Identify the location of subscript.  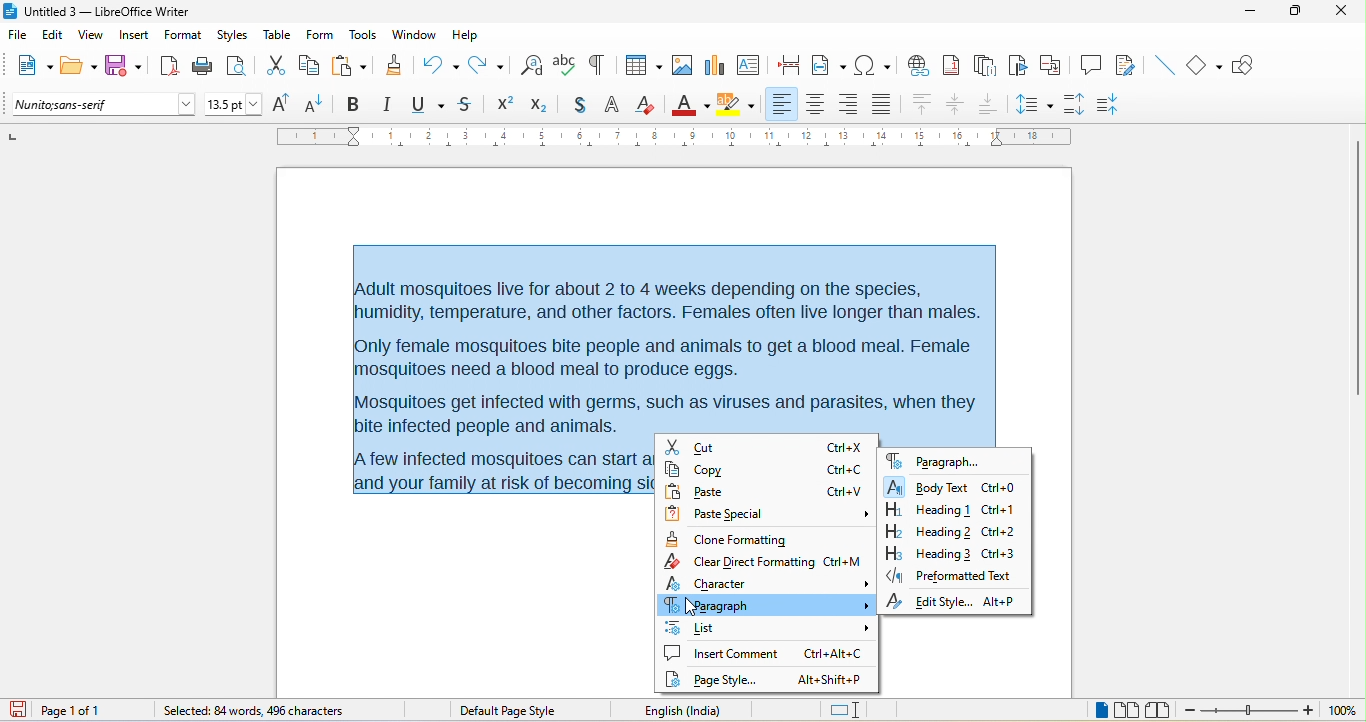
(544, 103).